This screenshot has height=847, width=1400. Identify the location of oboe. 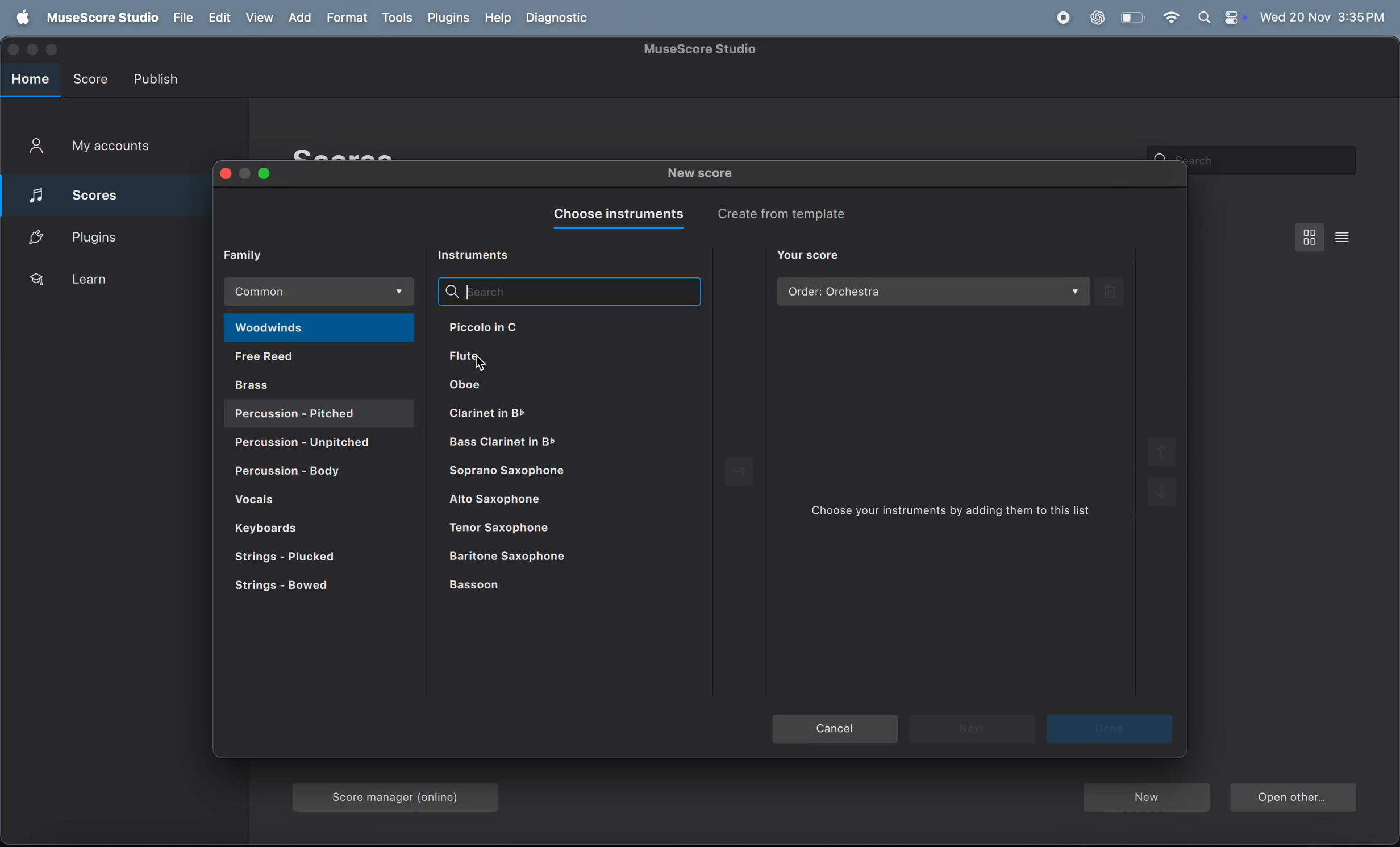
(533, 386).